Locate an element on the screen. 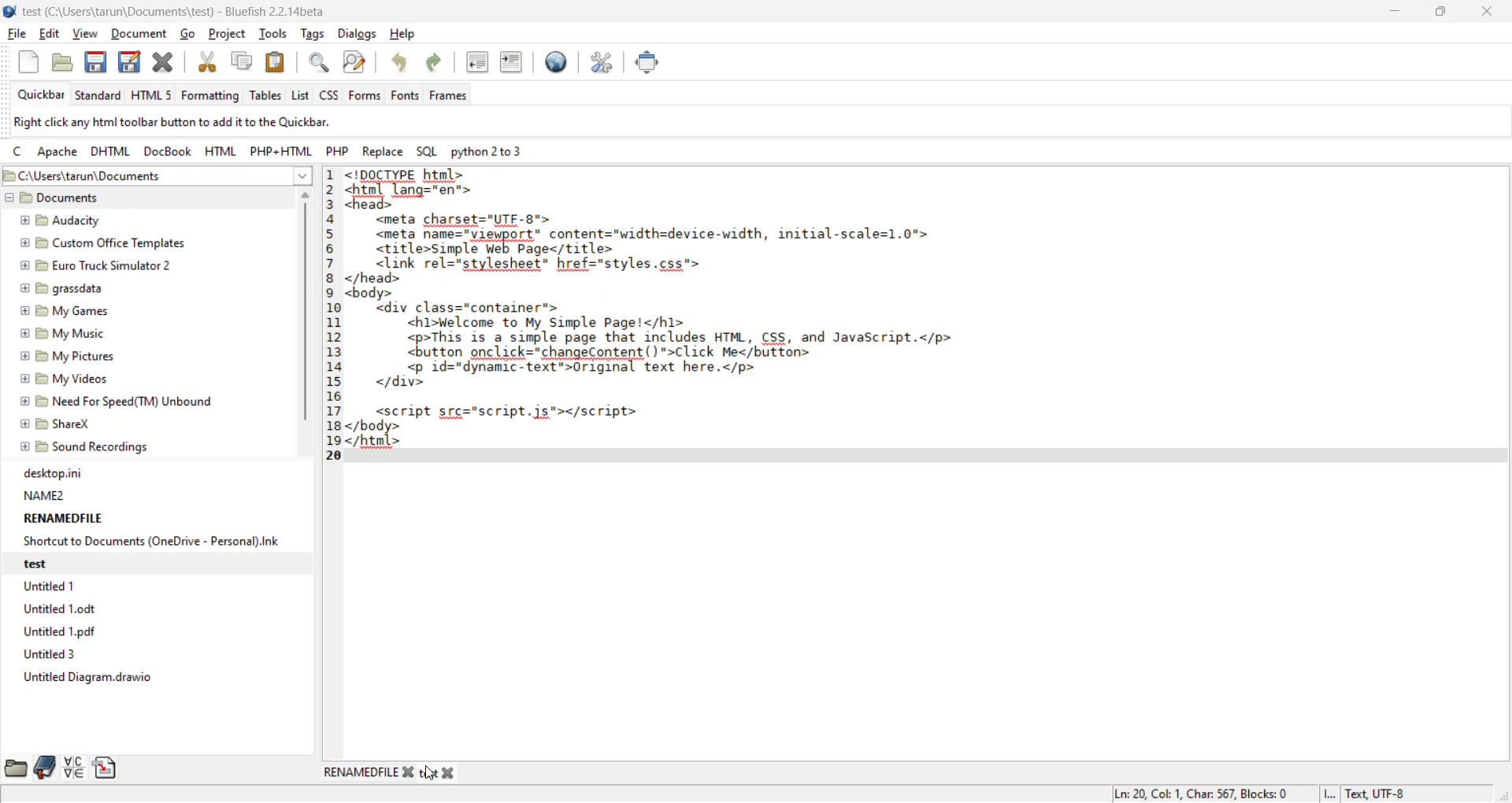  paste is located at coordinates (276, 61).